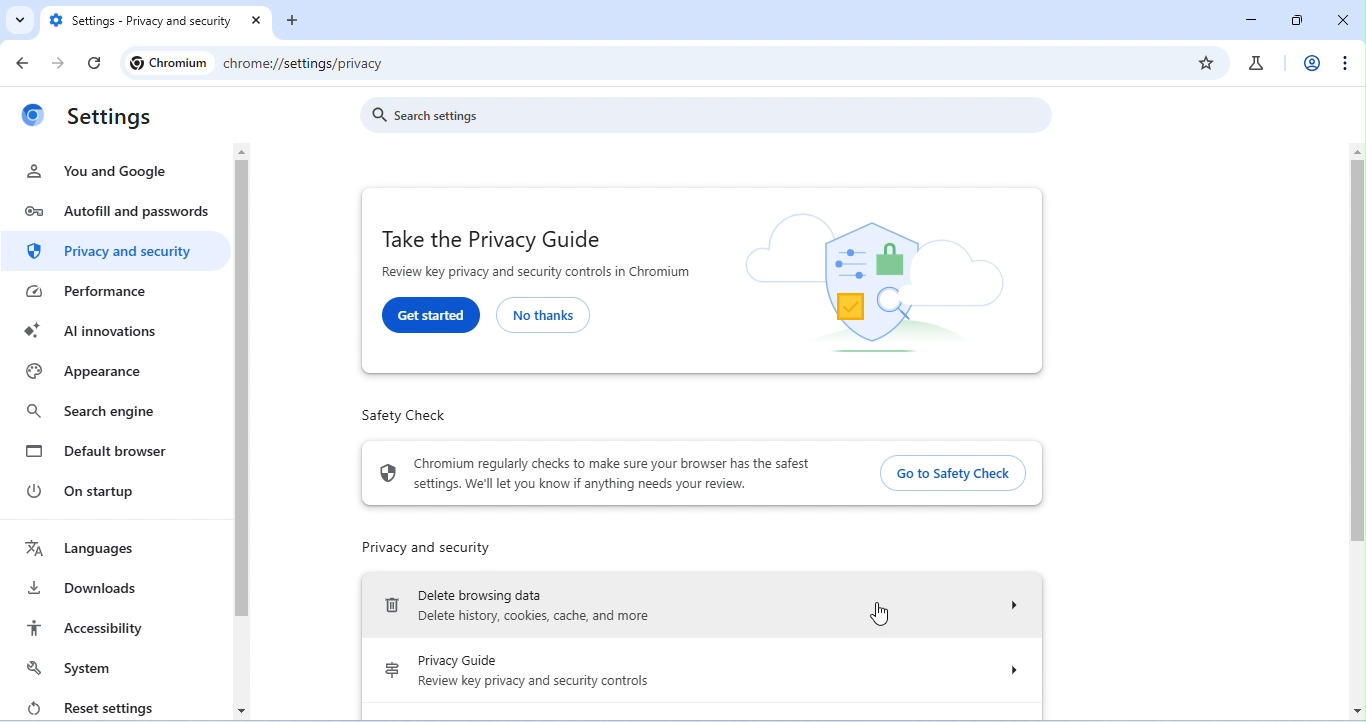 This screenshot has height=722, width=1366. I want to click on delete, so click(392, 608).